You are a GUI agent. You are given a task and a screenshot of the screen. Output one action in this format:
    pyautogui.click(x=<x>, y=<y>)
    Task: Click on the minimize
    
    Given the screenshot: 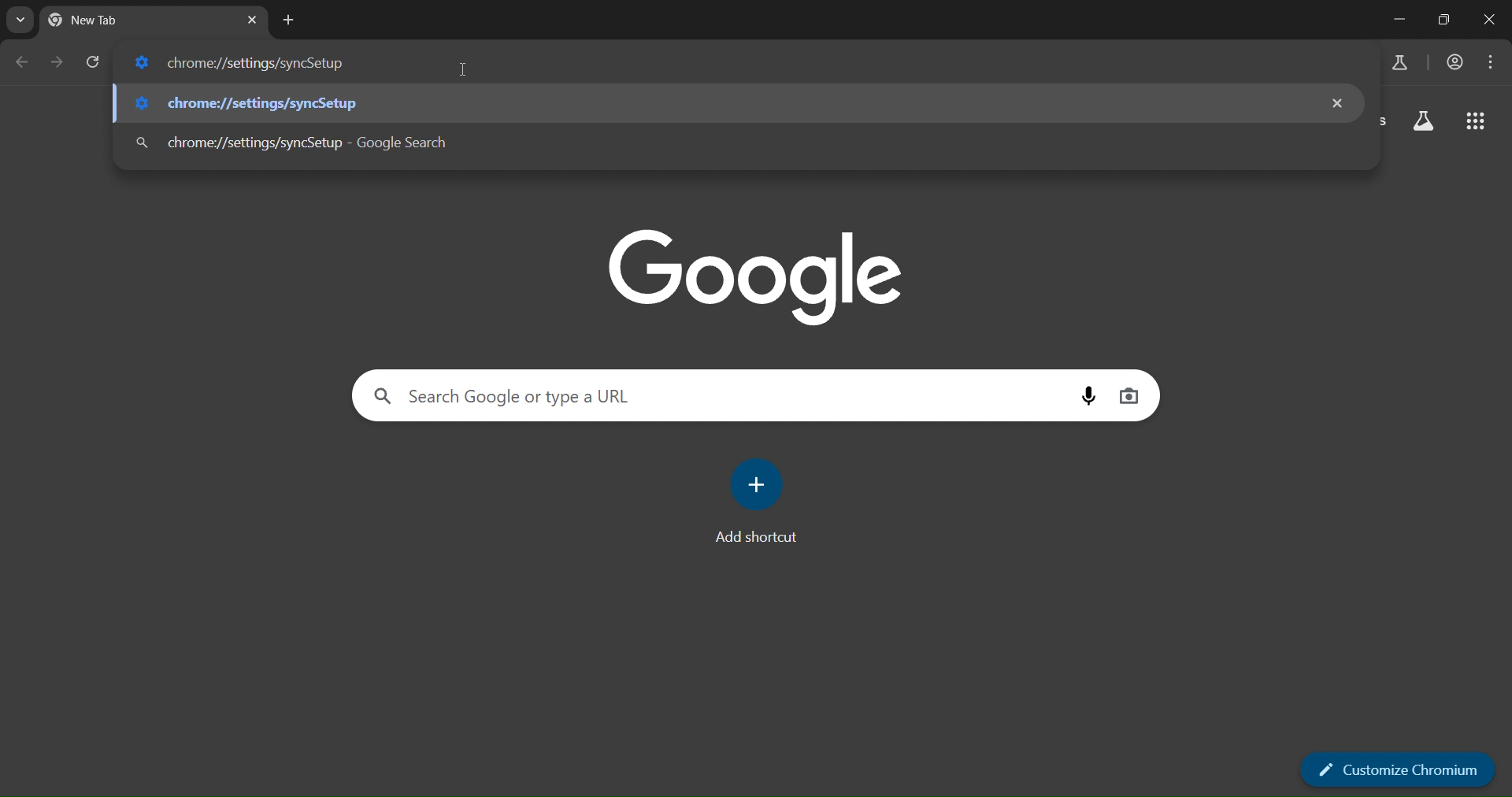 What is the action you would take?
    pyautogui.click(x=1400, y=19)
    